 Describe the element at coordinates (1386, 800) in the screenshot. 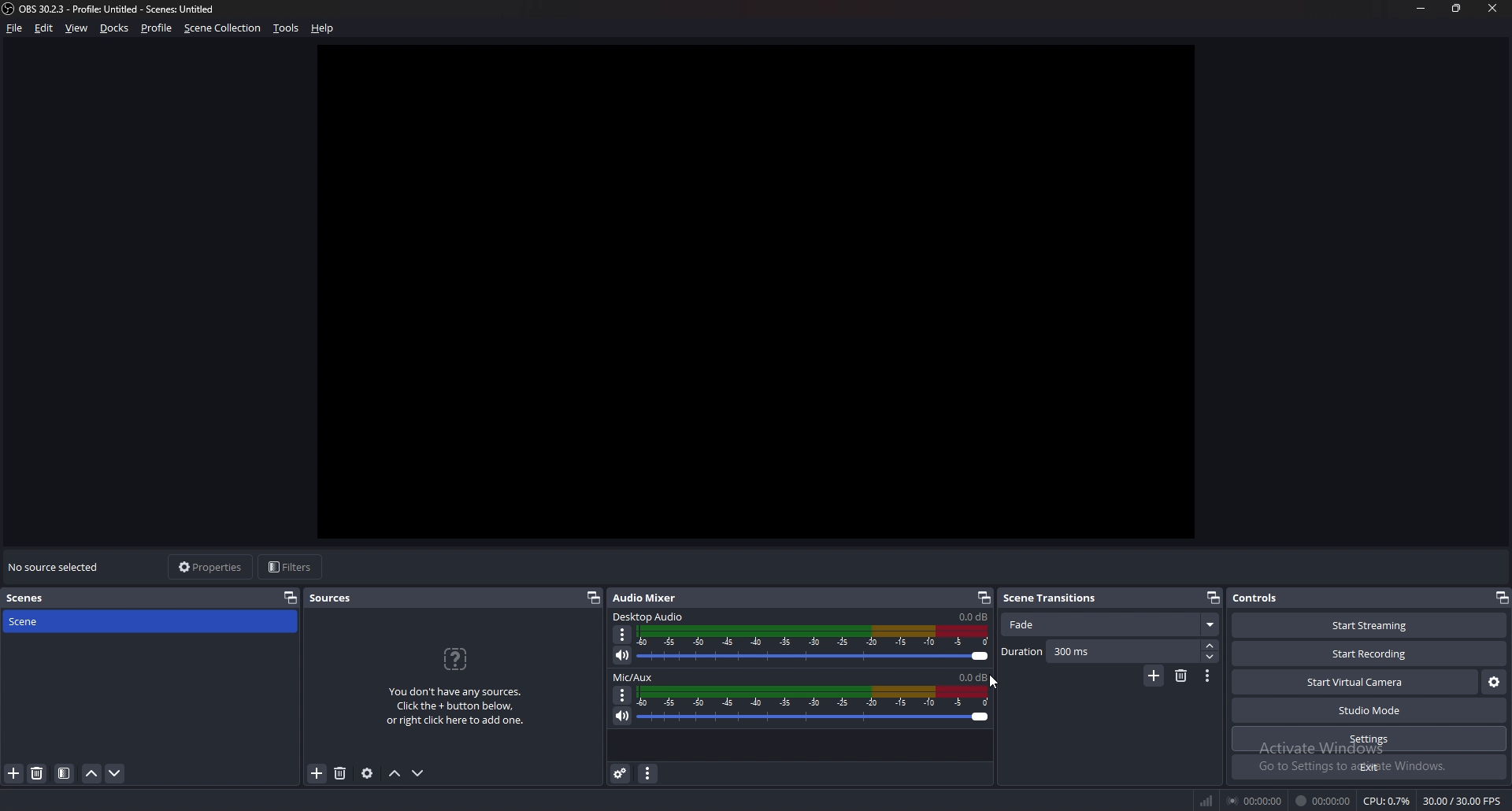

I see `CPU: 0.5%` at that location.